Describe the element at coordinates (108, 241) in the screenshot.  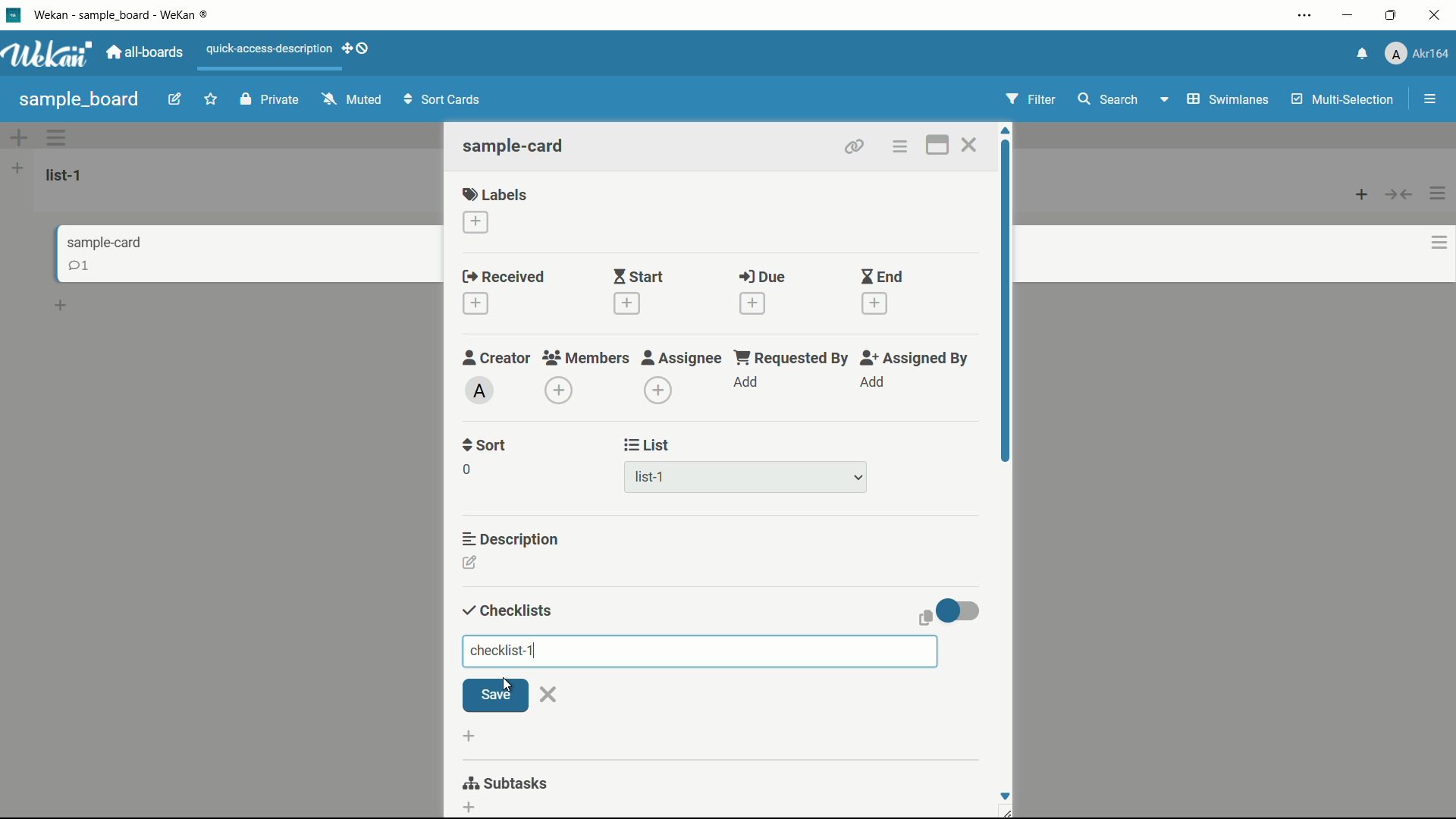
I see `sample-card` at that location.